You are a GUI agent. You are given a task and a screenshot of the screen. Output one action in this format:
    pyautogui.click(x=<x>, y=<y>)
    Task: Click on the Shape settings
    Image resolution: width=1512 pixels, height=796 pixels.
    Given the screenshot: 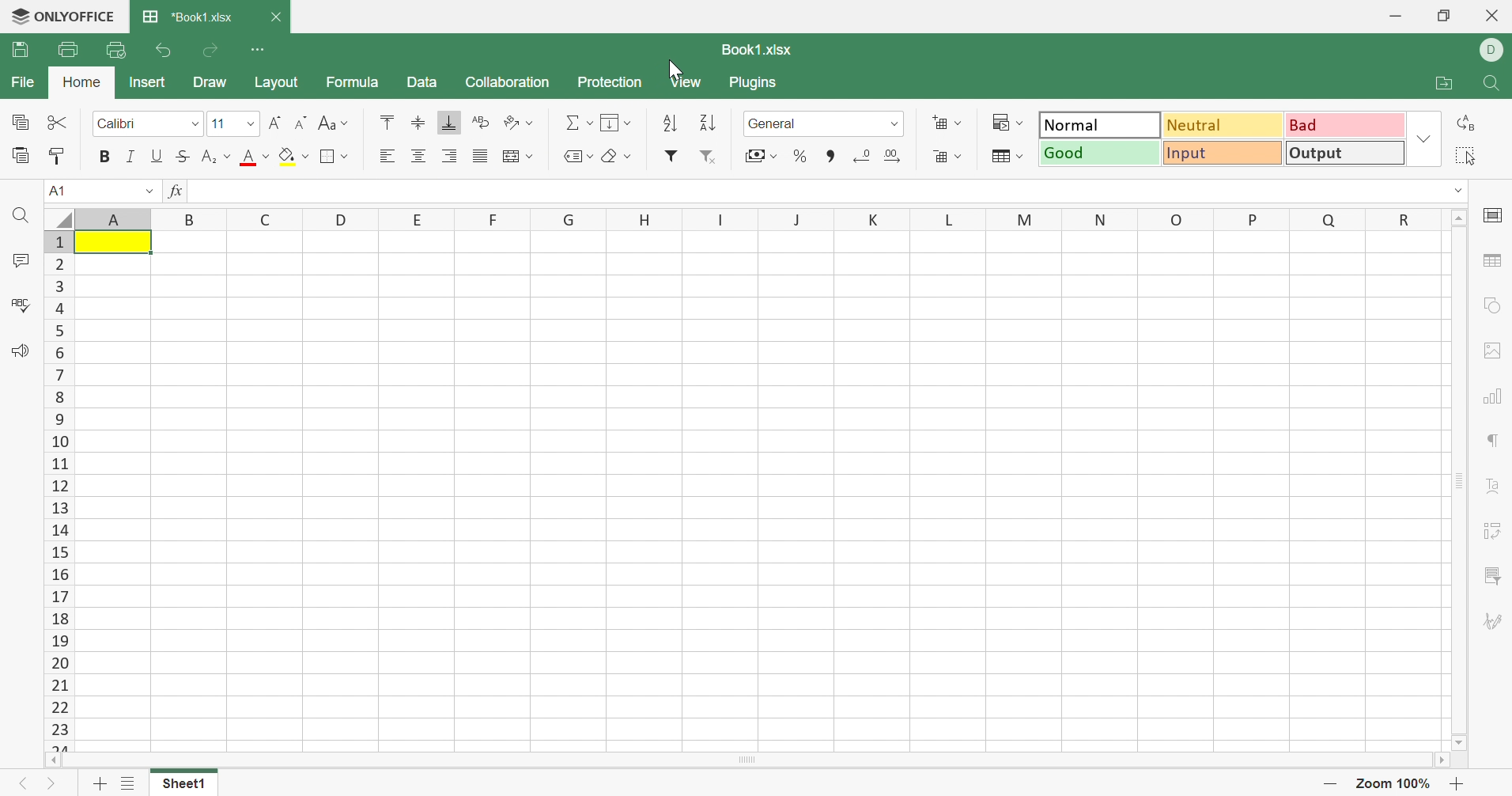 What is the action you would take?
    pyautogui.click(x=1492, y=306)
    